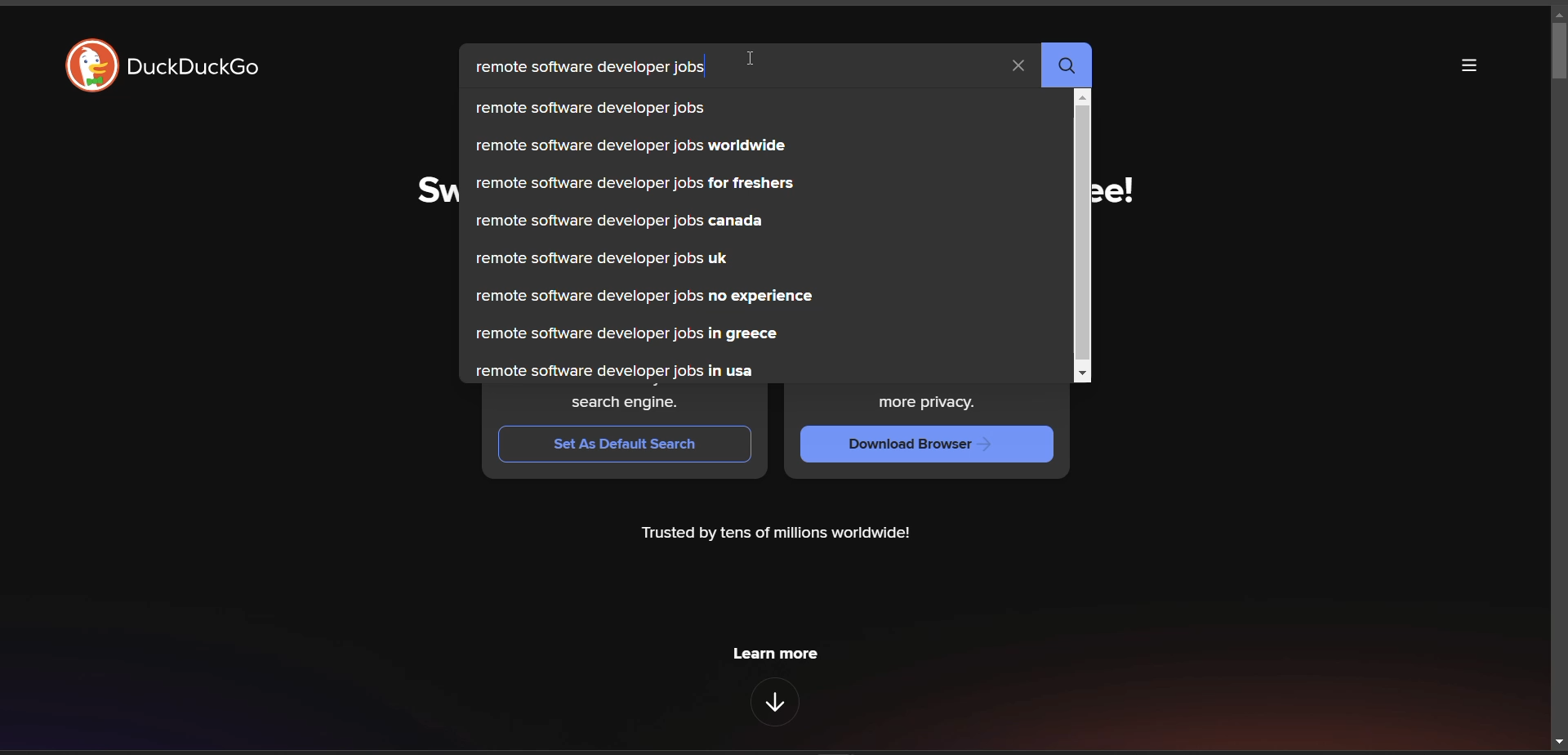 The height and width of the screenshot is (755, 1568). Describe the element at coordinates (617, 369) in the screenshot. I see `remote software developer jobs in usa` at that location.